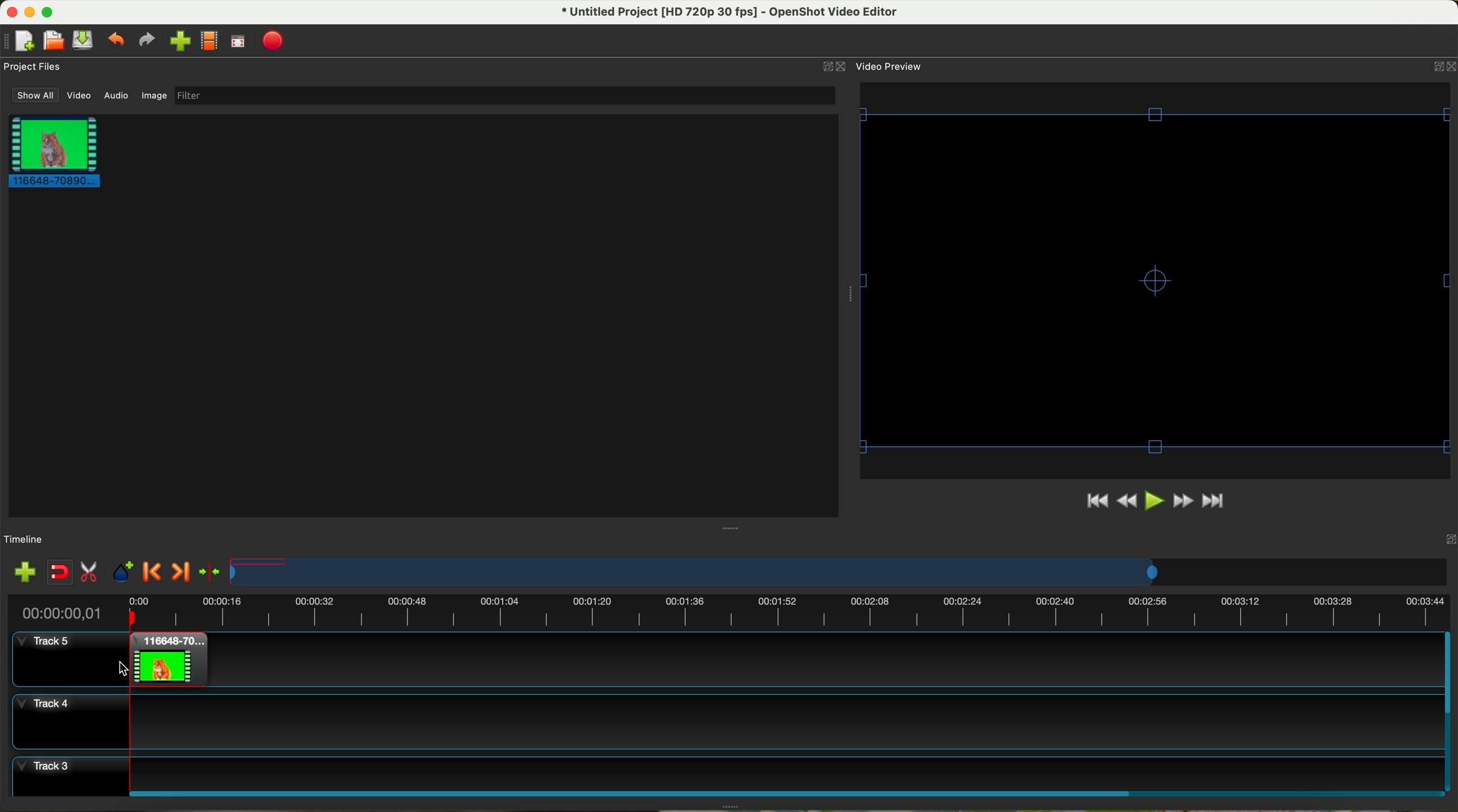 This screenshot has height=812, width=1458. What do you see at coordinates (117, 96) in the screenshot?
I see `audio` at bounding box center [117, 96].